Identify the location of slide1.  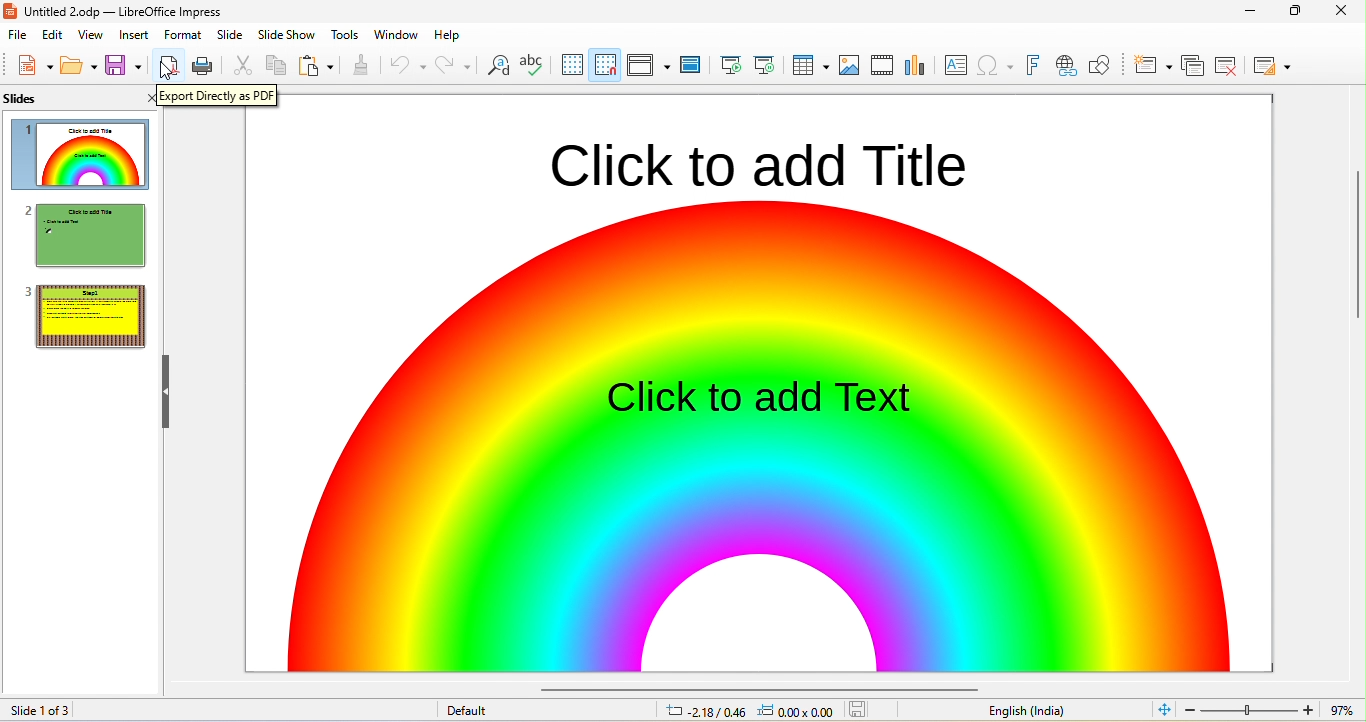
(80, 156).